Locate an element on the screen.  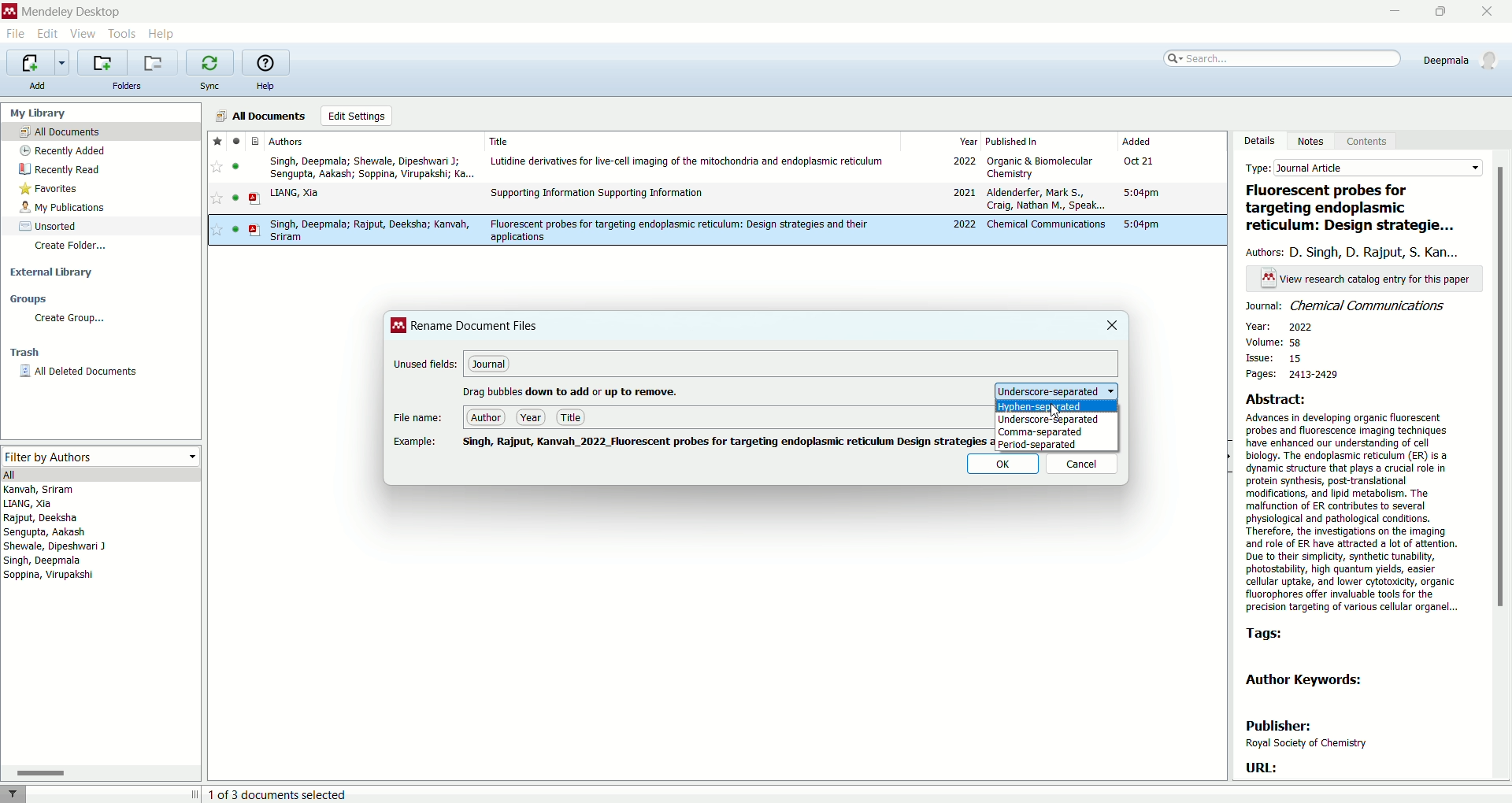
tools is located at coordinates (124, 35).